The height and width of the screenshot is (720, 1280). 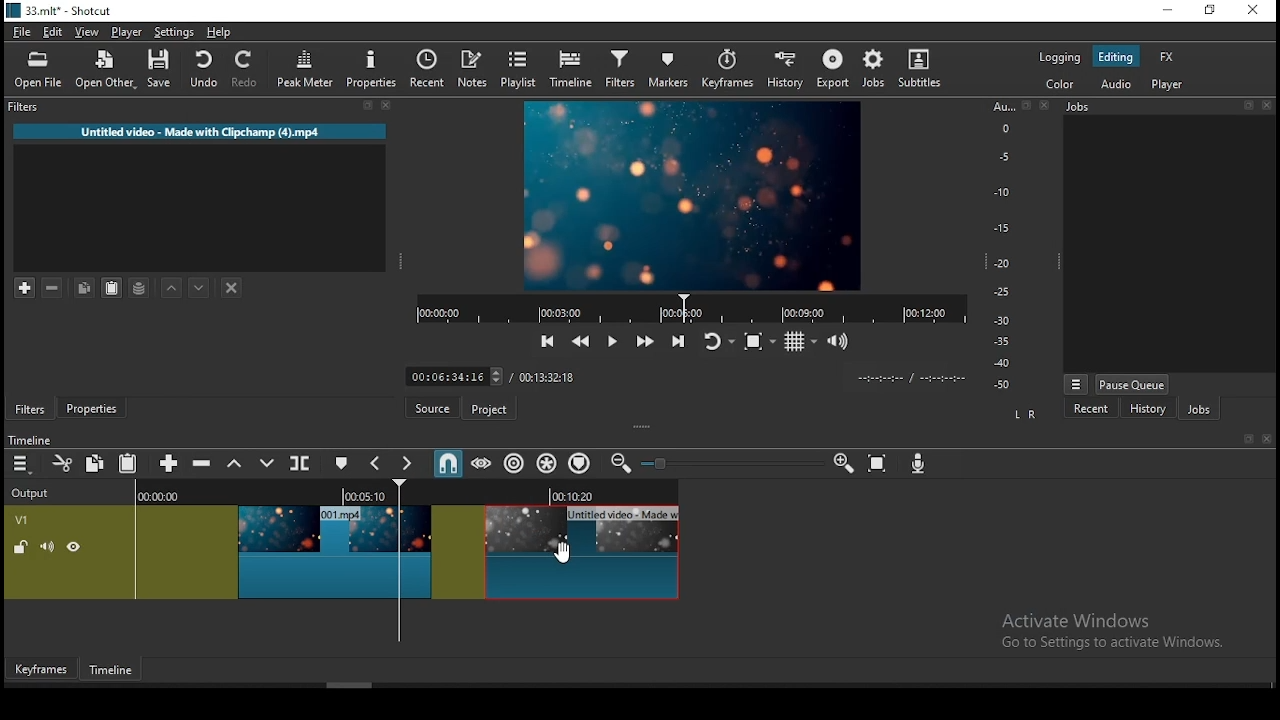 What do you see at coordinates (235, 464) in the screenshot?
I see `lift` at bounding box center [235, 464].